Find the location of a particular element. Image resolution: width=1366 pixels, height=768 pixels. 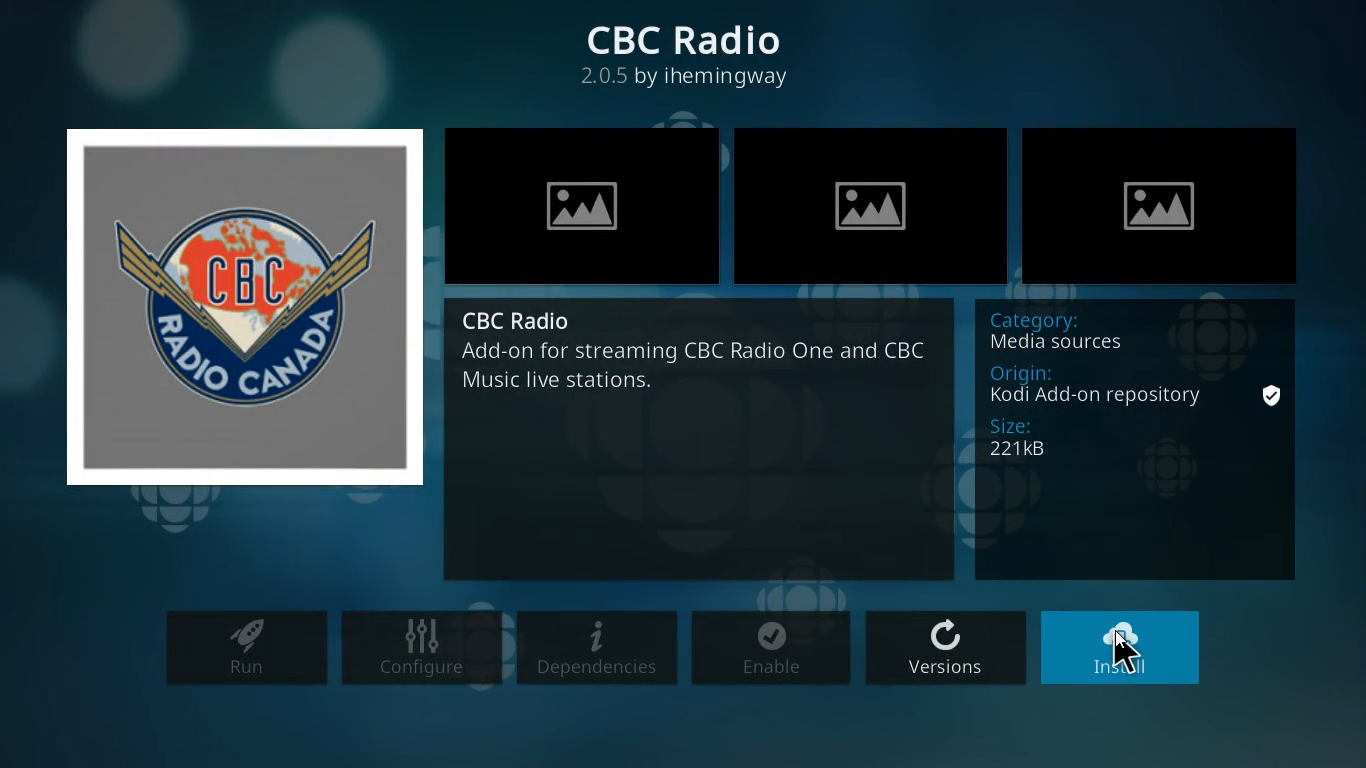

radio logo is located at coordinates (237, 305).